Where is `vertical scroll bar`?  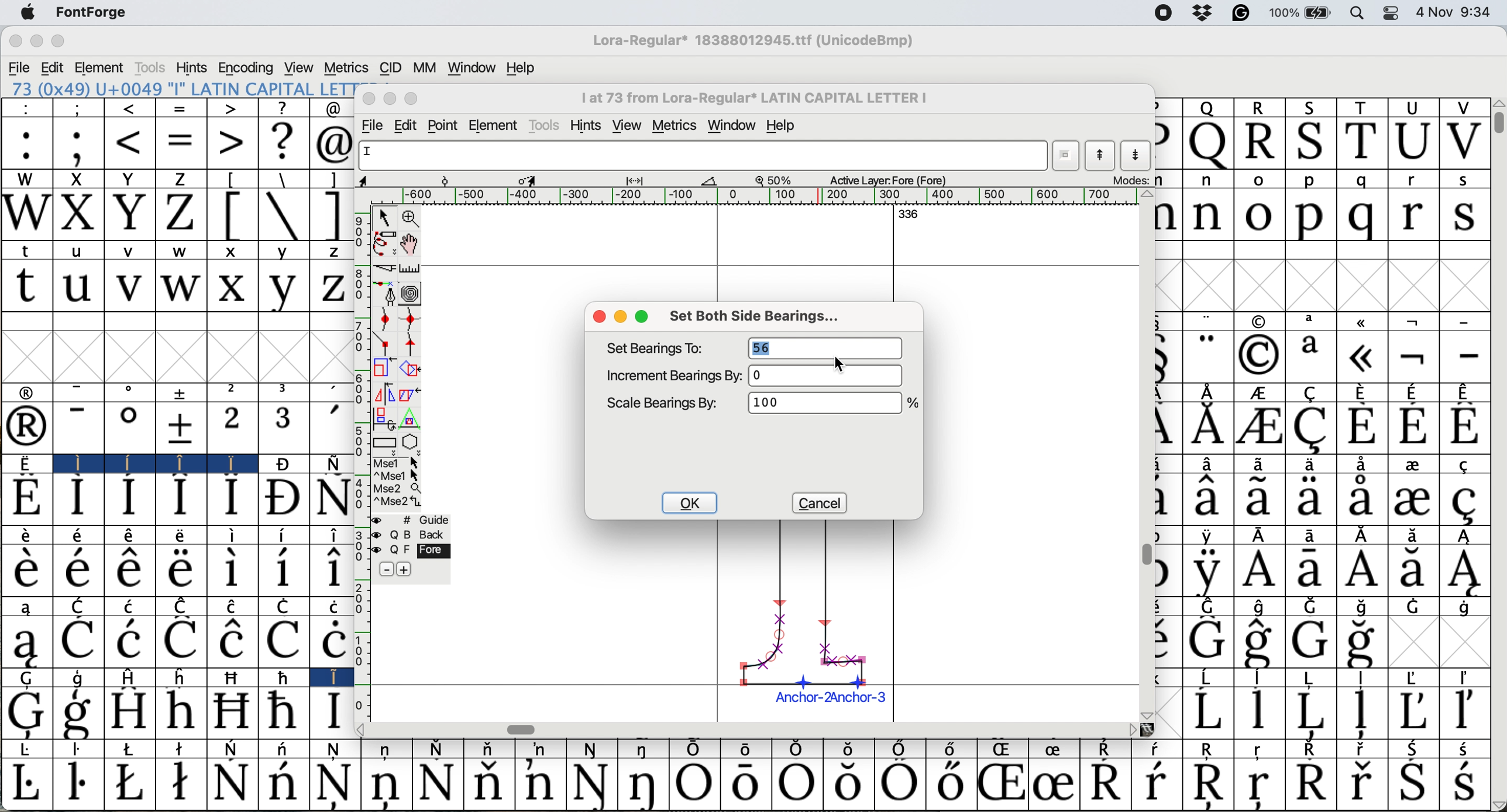 vertical scroll bar is located at coordinates (1498, 126).